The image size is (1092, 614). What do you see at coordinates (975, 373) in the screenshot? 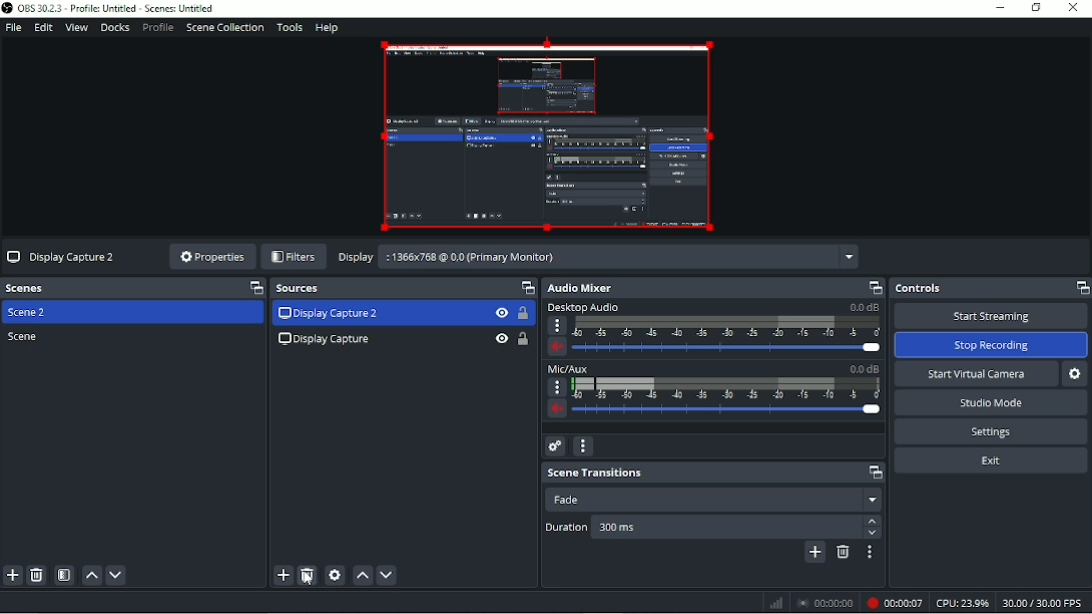
I see `Start virtual camera` at bounding box center [975, 373].